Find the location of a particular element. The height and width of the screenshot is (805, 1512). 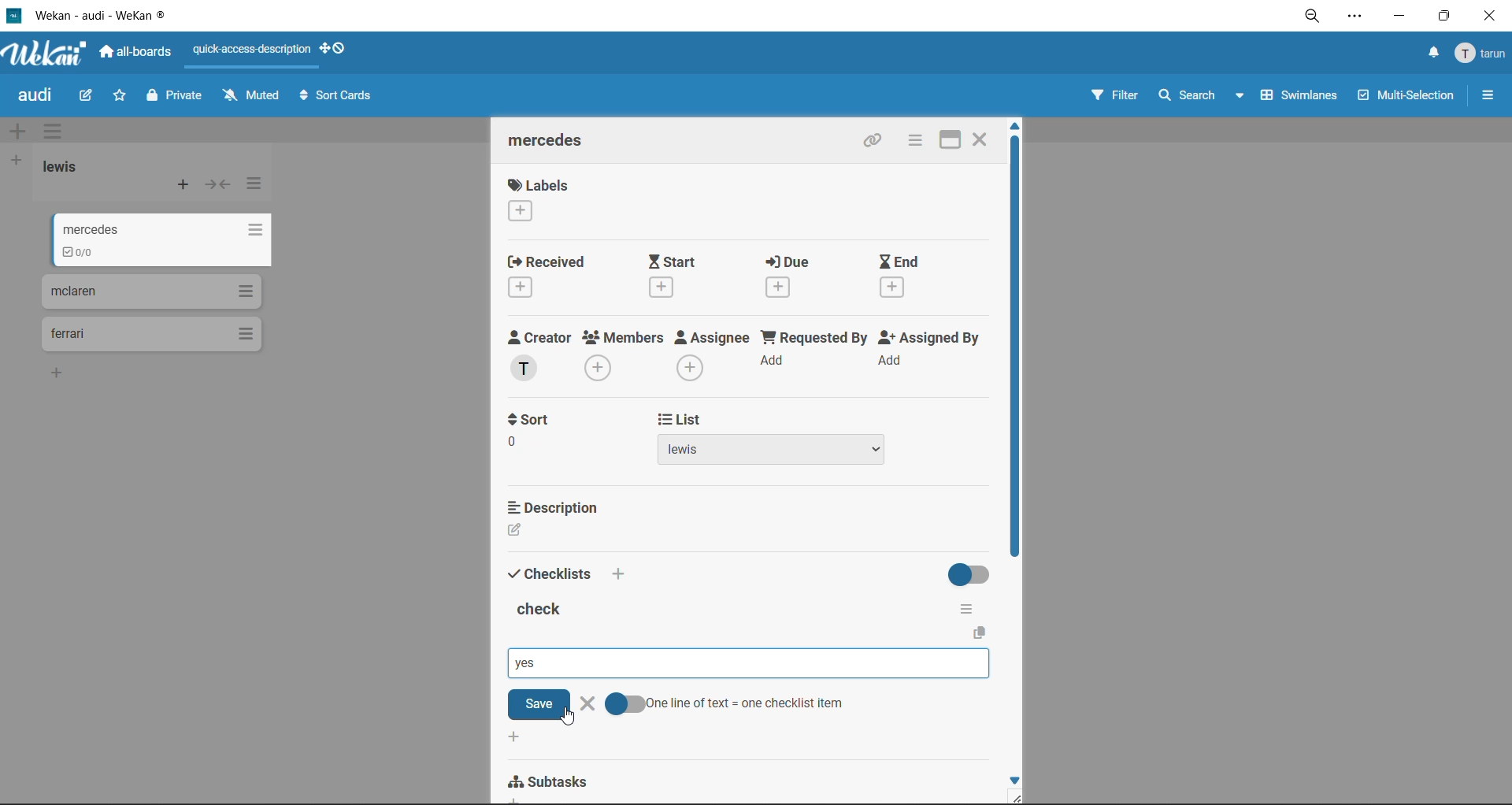

cards is located at coordinates (169, 228).